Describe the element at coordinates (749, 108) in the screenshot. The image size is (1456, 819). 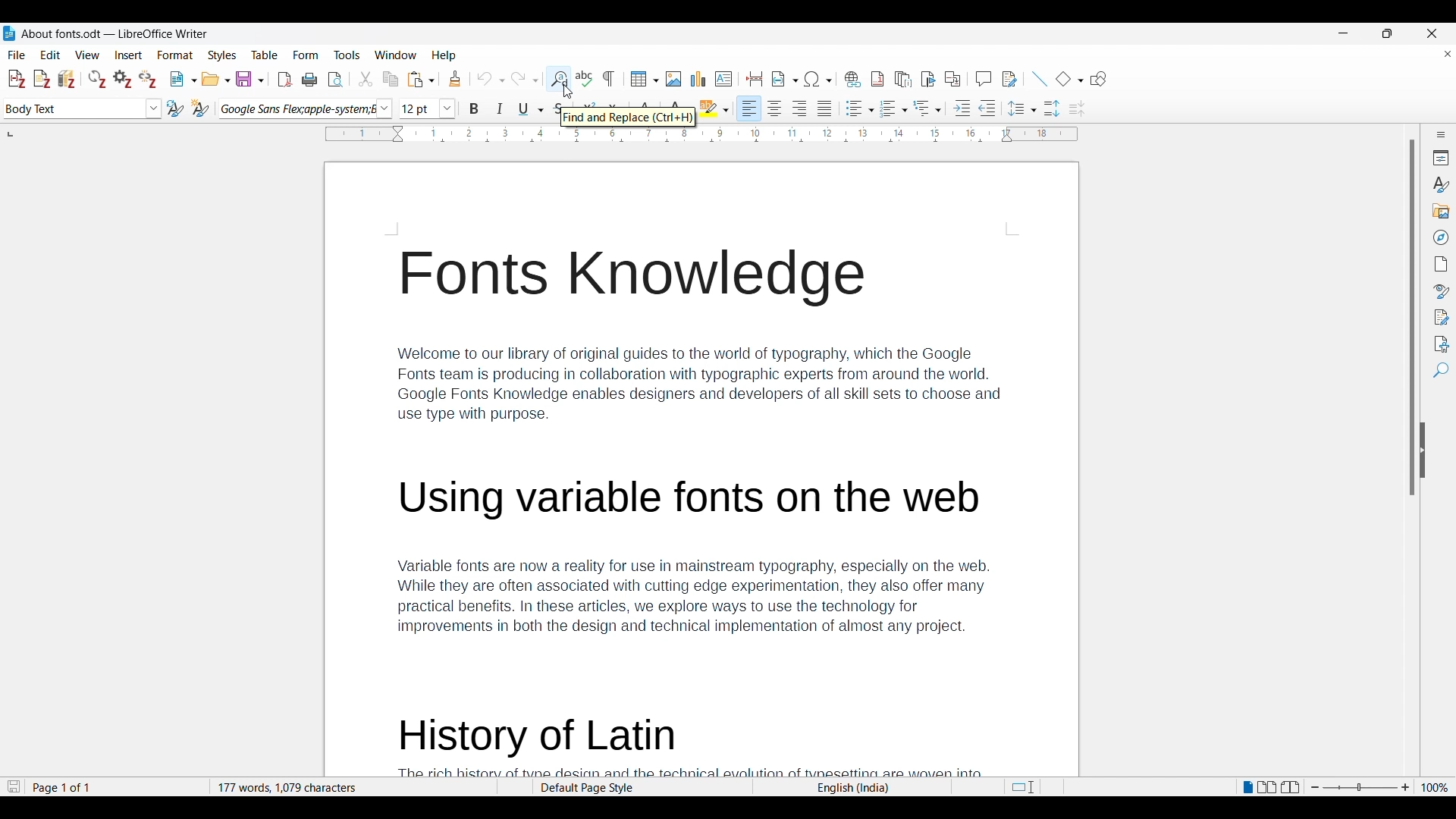
I see `Align left, current selection, highlighted` at that location.